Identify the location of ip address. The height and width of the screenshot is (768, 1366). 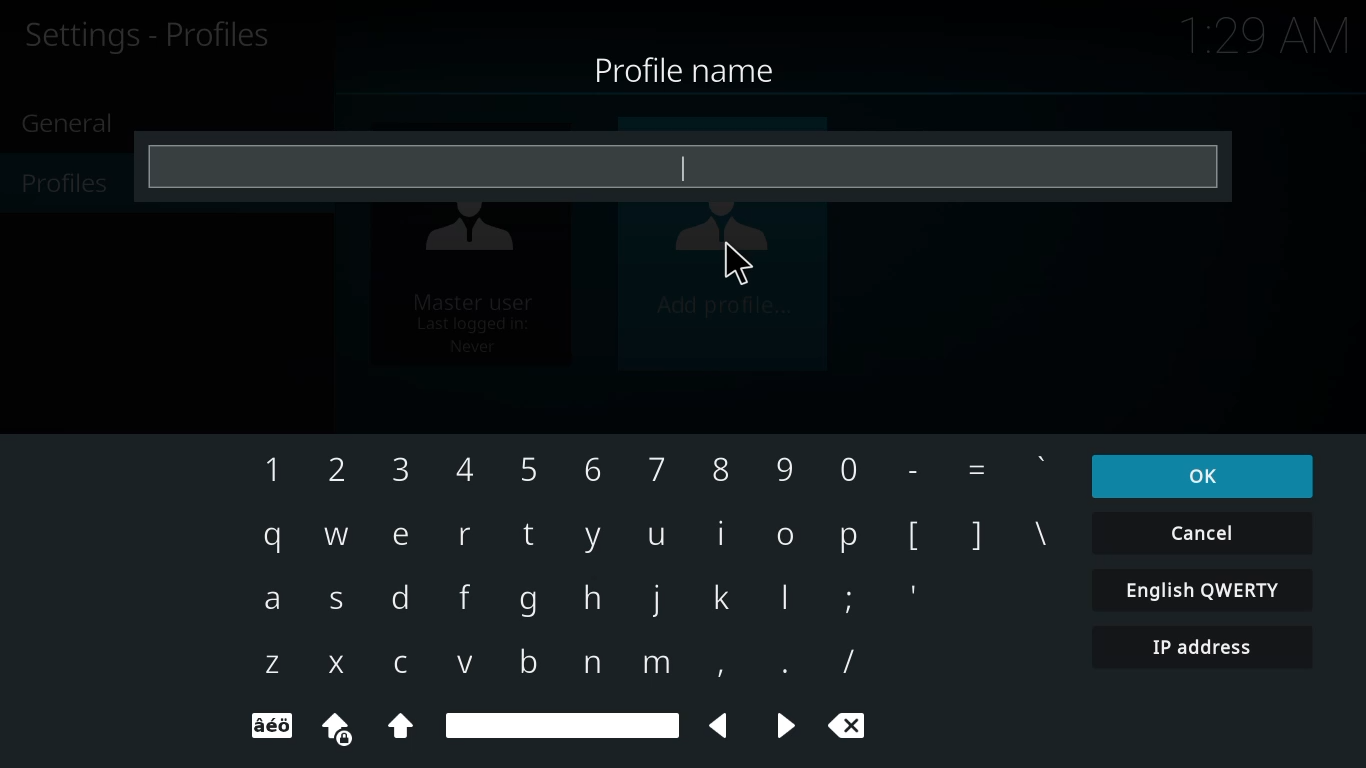
(1209, 648).